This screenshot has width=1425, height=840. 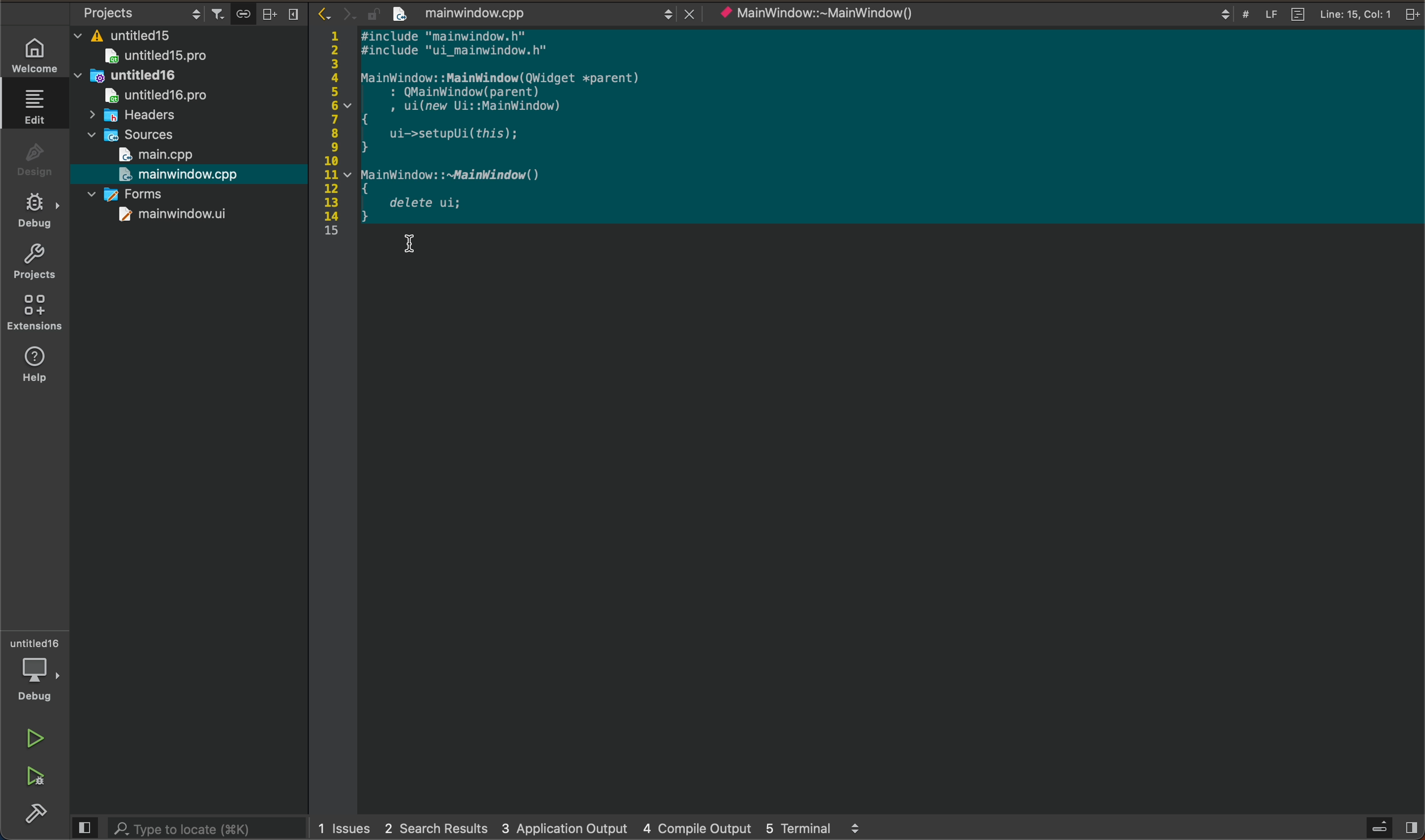 I want to click on sources, so click(x=139, y=136).